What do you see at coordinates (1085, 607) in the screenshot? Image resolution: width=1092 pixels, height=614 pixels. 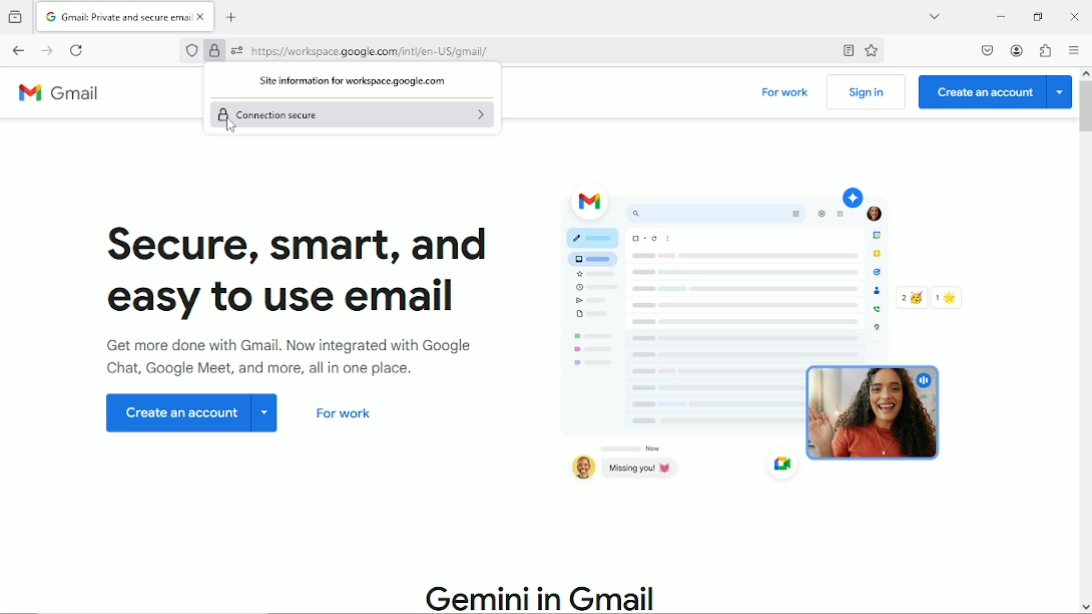 I see `move down` at bounding box center [1085, 607].